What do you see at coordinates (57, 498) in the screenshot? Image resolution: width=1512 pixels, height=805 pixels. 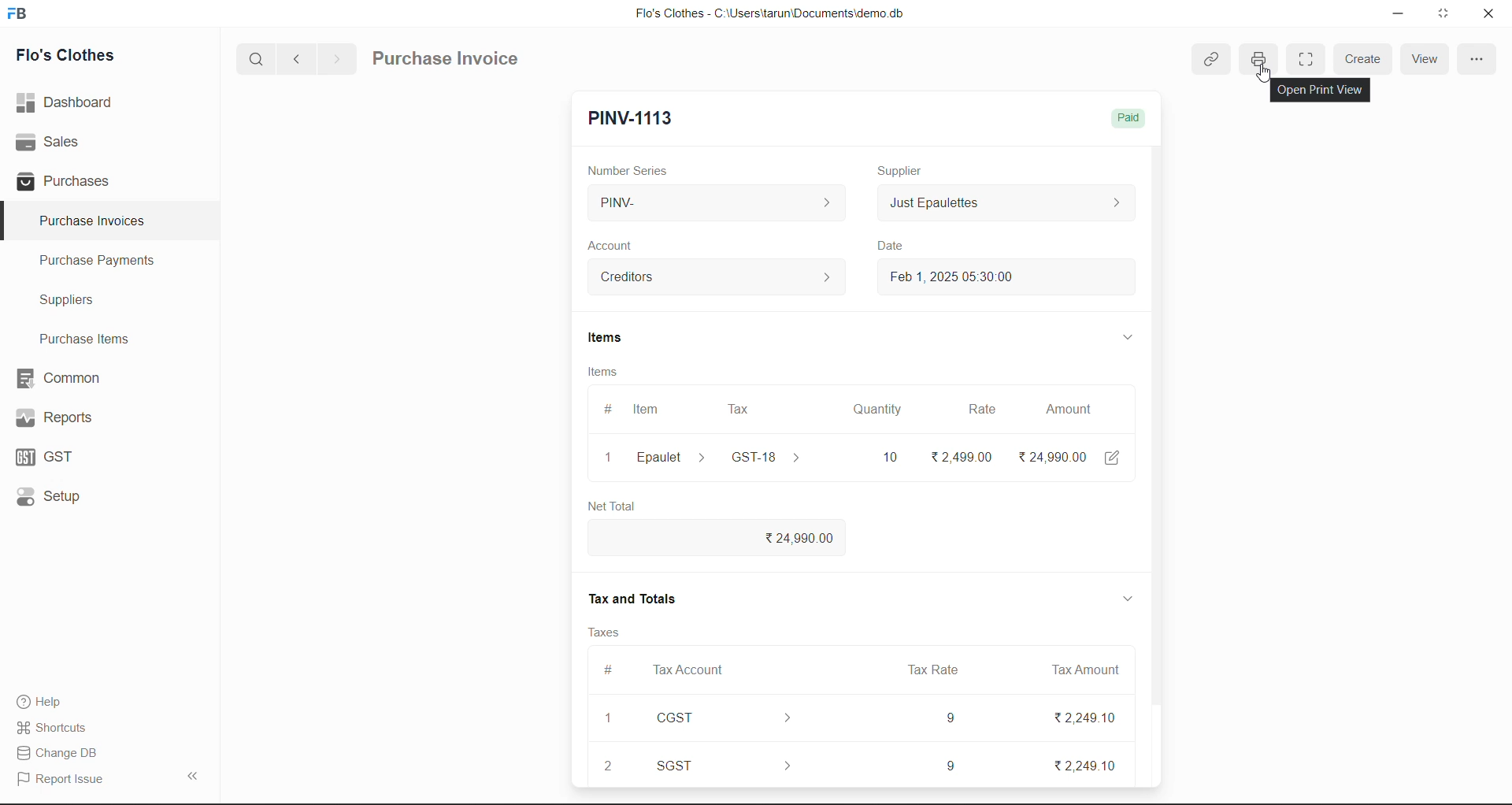 I see `Setup` at bounding box center [57, 498].